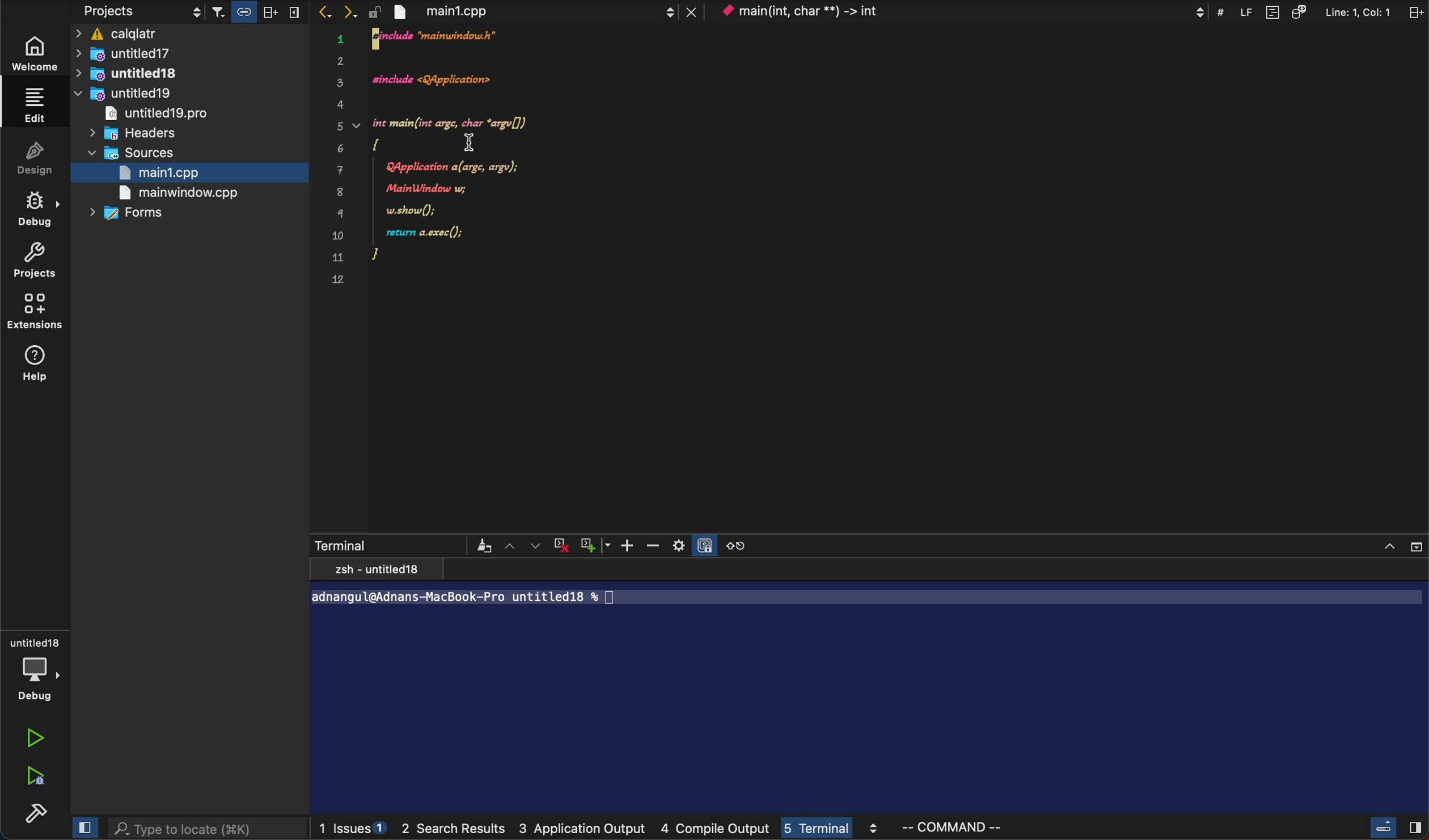 This screenshot has width=1429, height=840. Describe the element at coordinates (181, 194) in the screenshot. I see `main window` at that location.